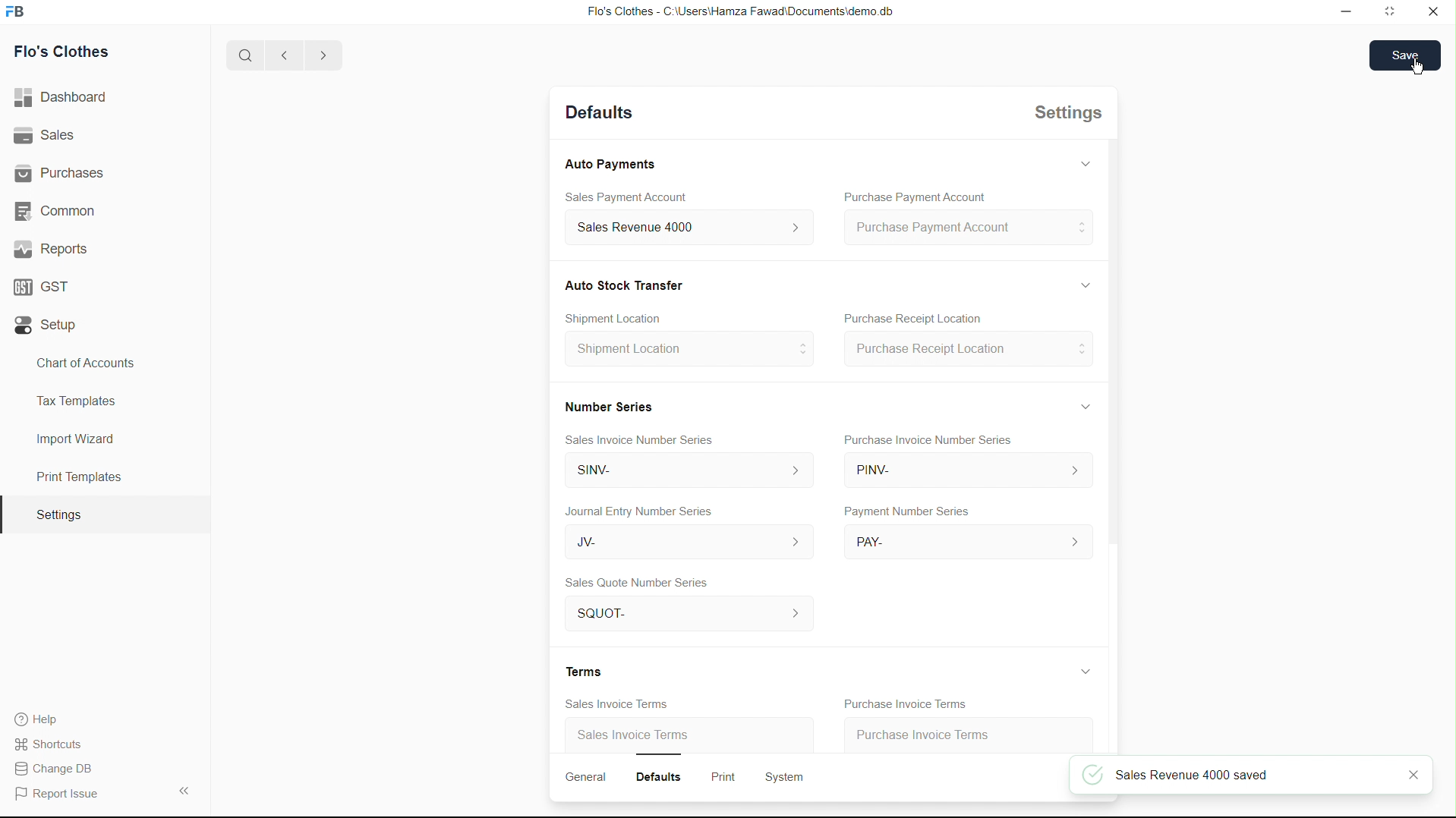 Image resolution: width=1456 pixels, height=818 pixels. Describe the element at coordinates (66, 171) in the screenshot. I see `| Purchases` at that location.